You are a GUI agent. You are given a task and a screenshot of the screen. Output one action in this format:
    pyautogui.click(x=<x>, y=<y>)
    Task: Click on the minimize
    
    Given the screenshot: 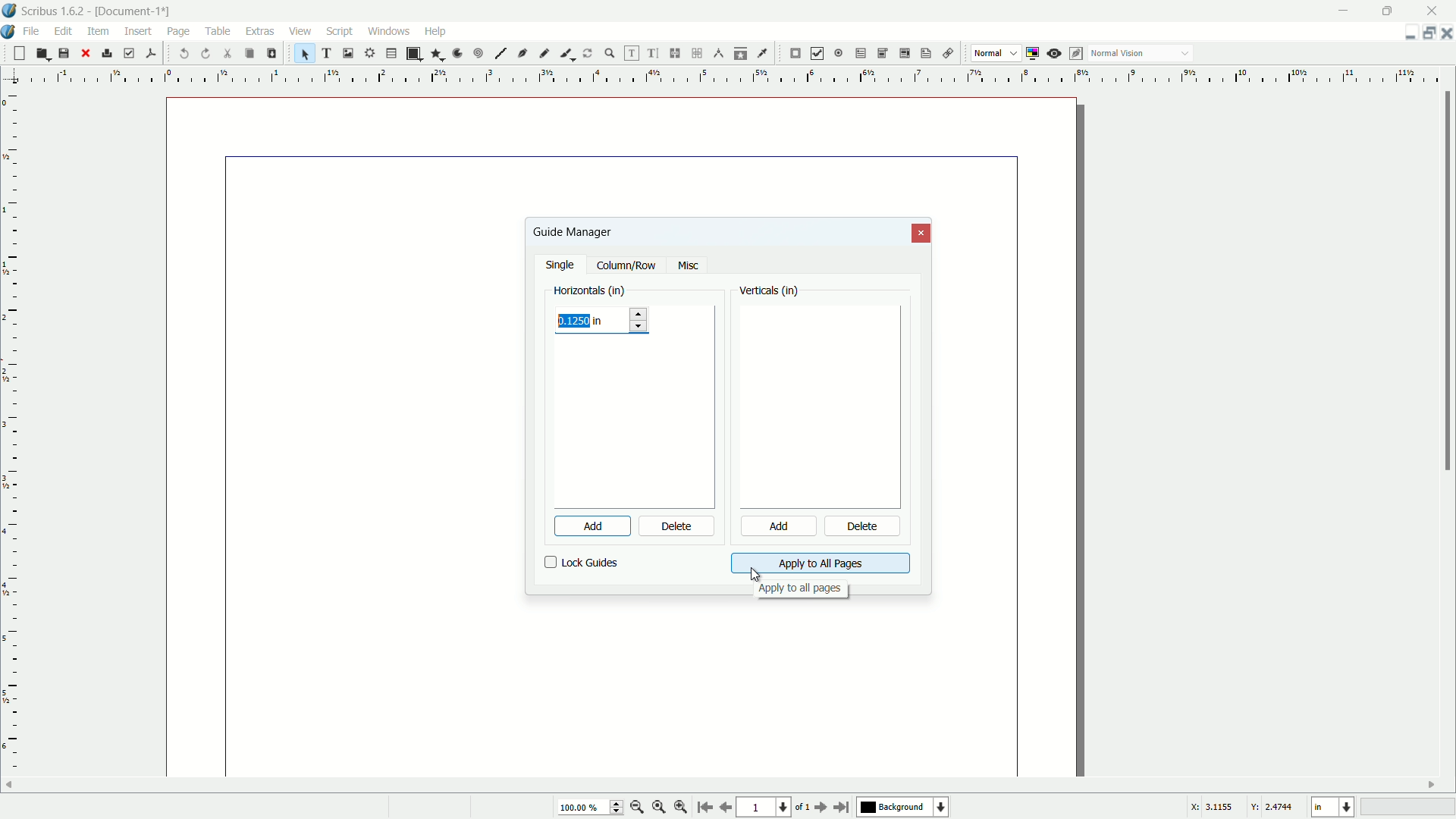 What is the action you would take?
    pyautogui.click(x=1345, y=10)
    